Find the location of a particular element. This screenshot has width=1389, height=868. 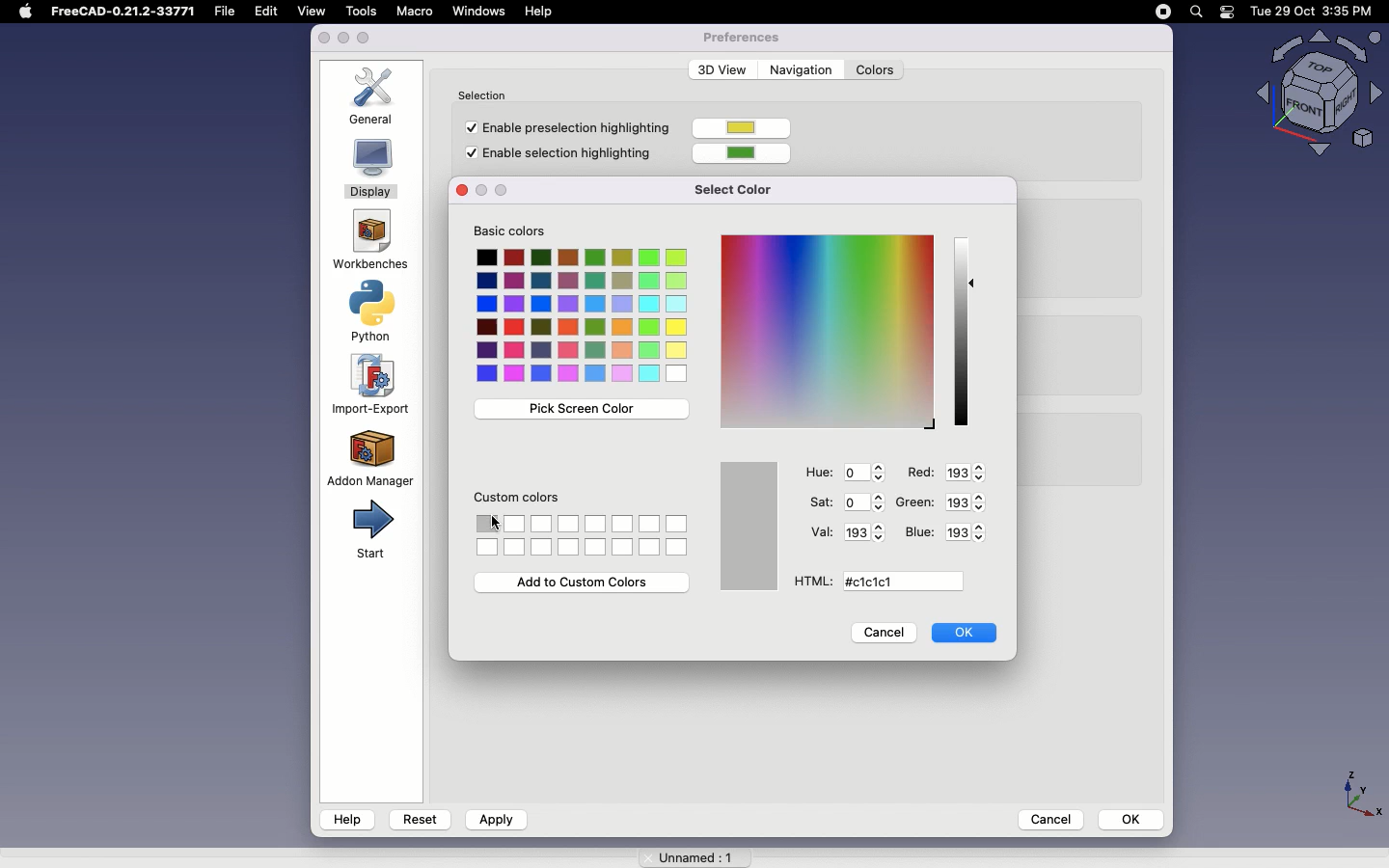

Select color is located at coordinates (743, 188).